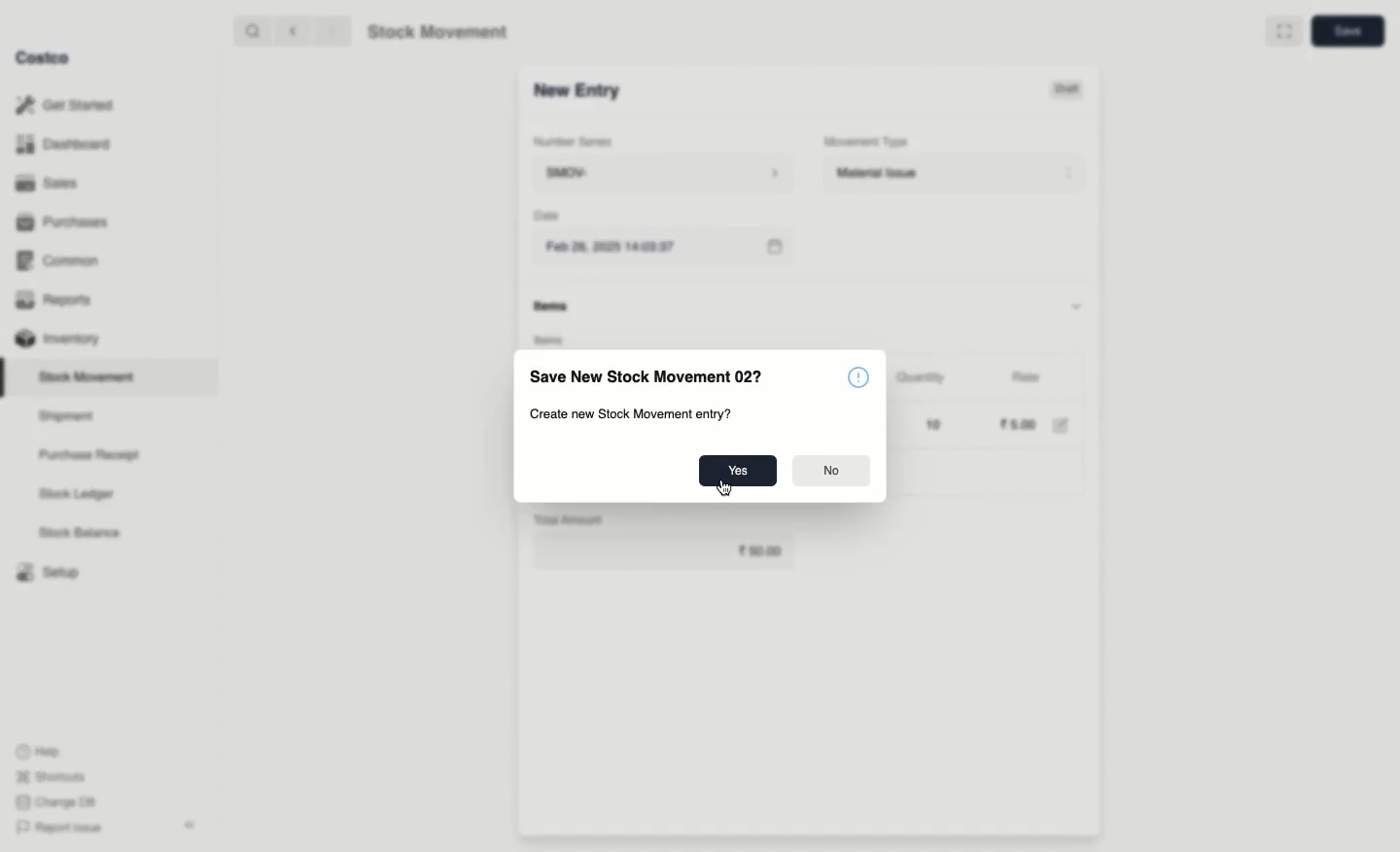 The width and height of the screenshot is (1400, 852). I want to click on Help, so click(40, 749).